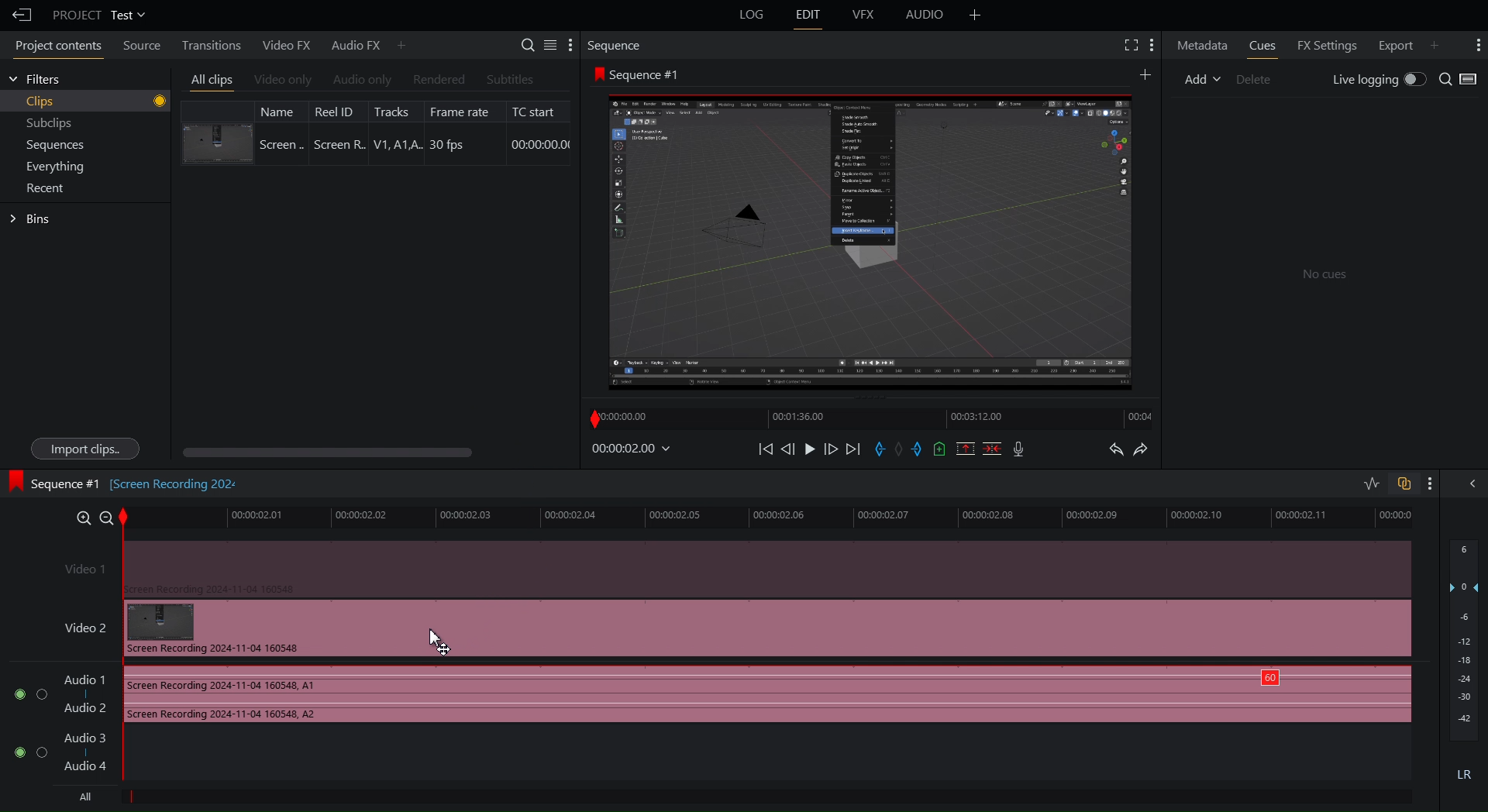 Image resolution: width=1488 pixels, height=812 pixels. I want to click on No cues, so click(1325, 276).